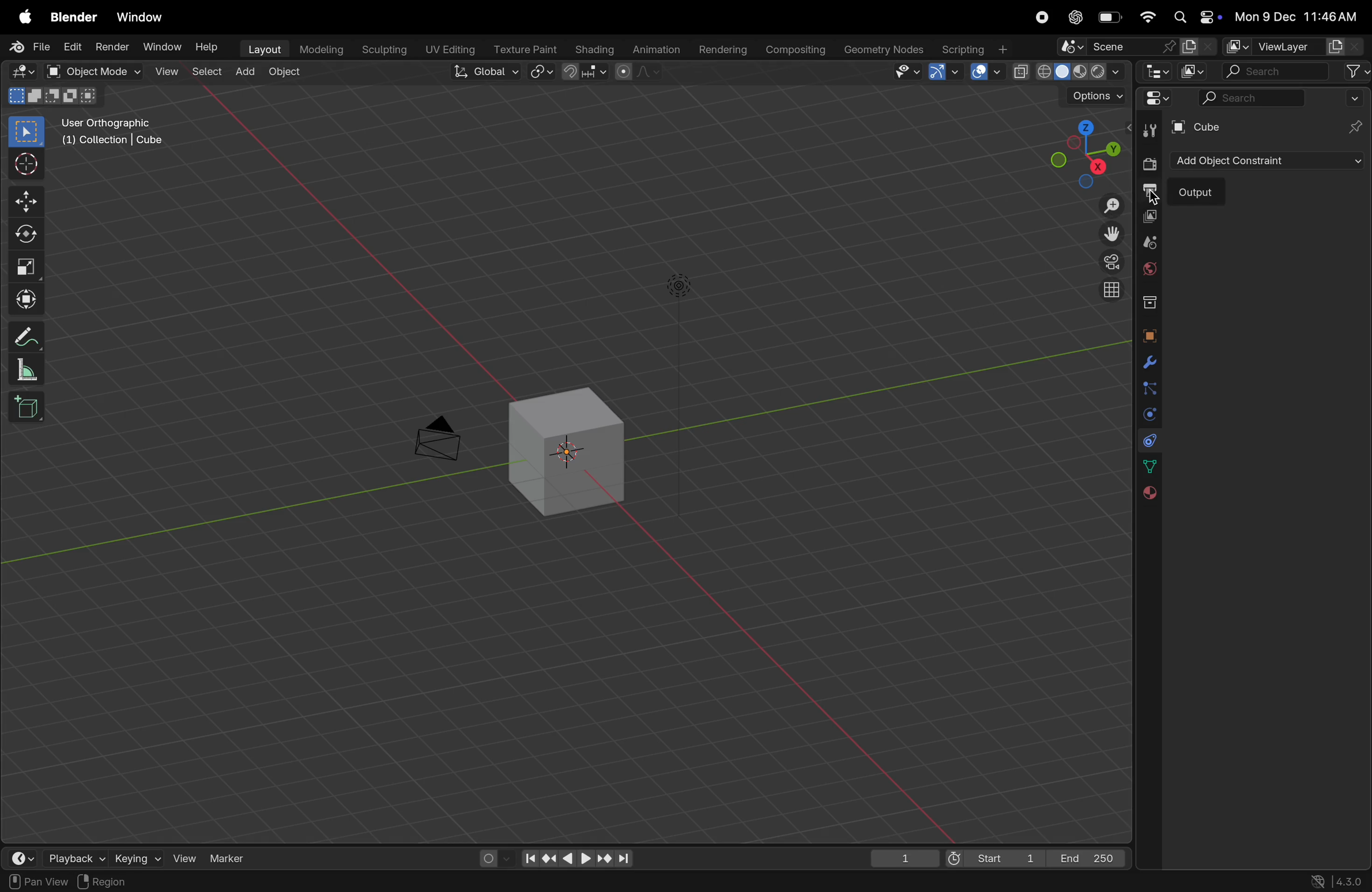 This screenshot has height=892, width=1372. What do you see at coordinates (1088, 857) in the screenshot?
I see `End 250` at bounding box center [1088, 857].